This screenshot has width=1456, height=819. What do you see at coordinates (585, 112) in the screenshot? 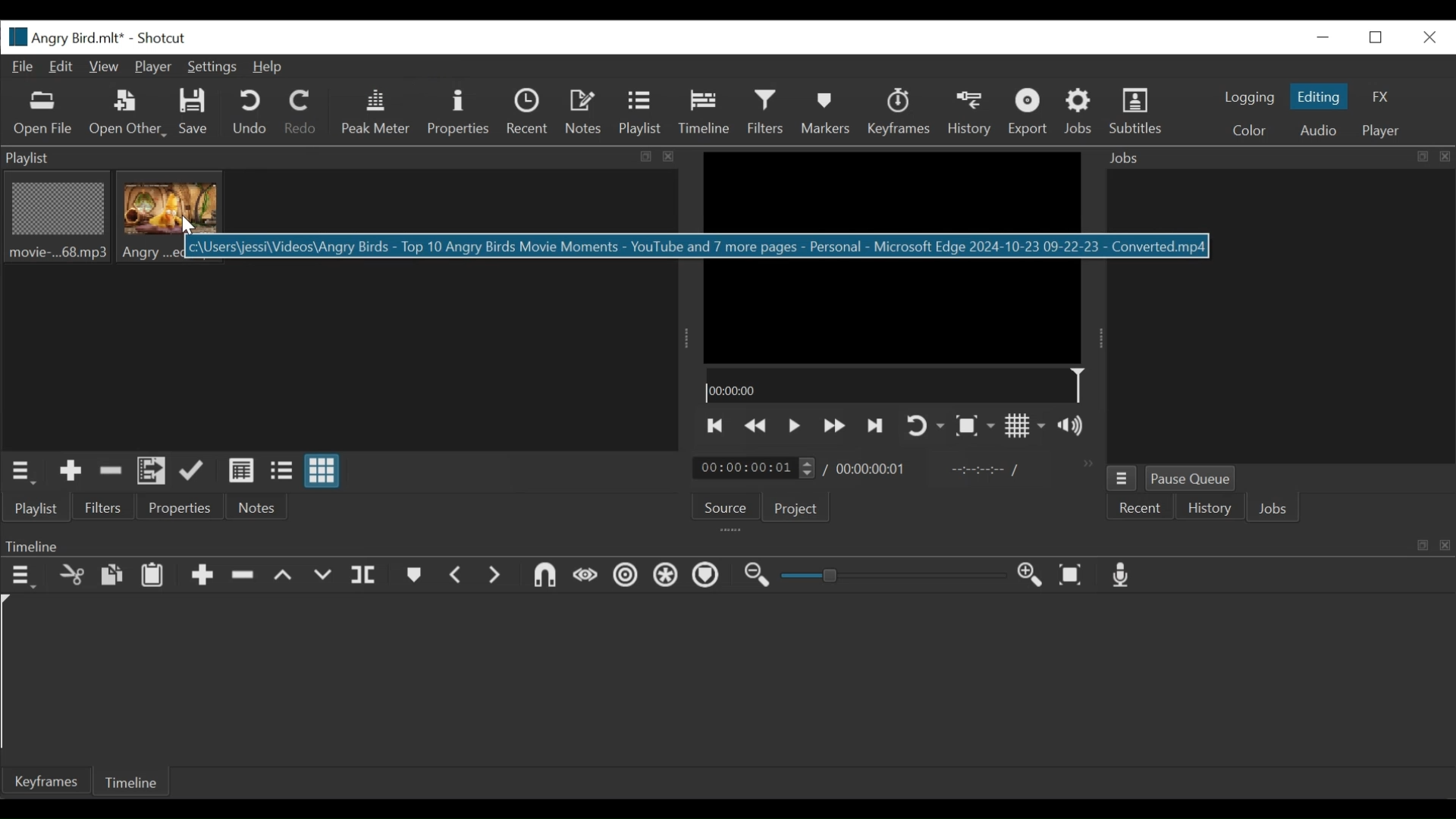
I see `Notes` at bounding box center [585, 112].